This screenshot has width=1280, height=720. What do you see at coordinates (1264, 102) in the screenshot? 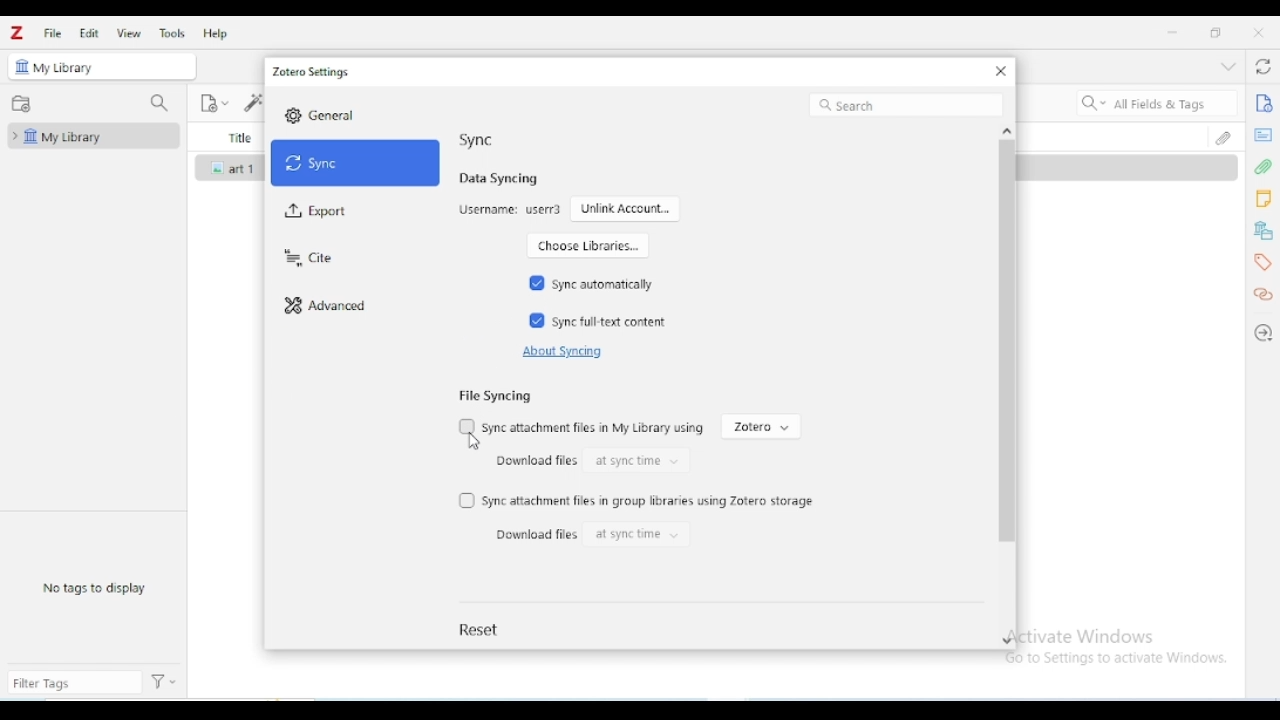
I see `info` at bounding box center [1264, 102].